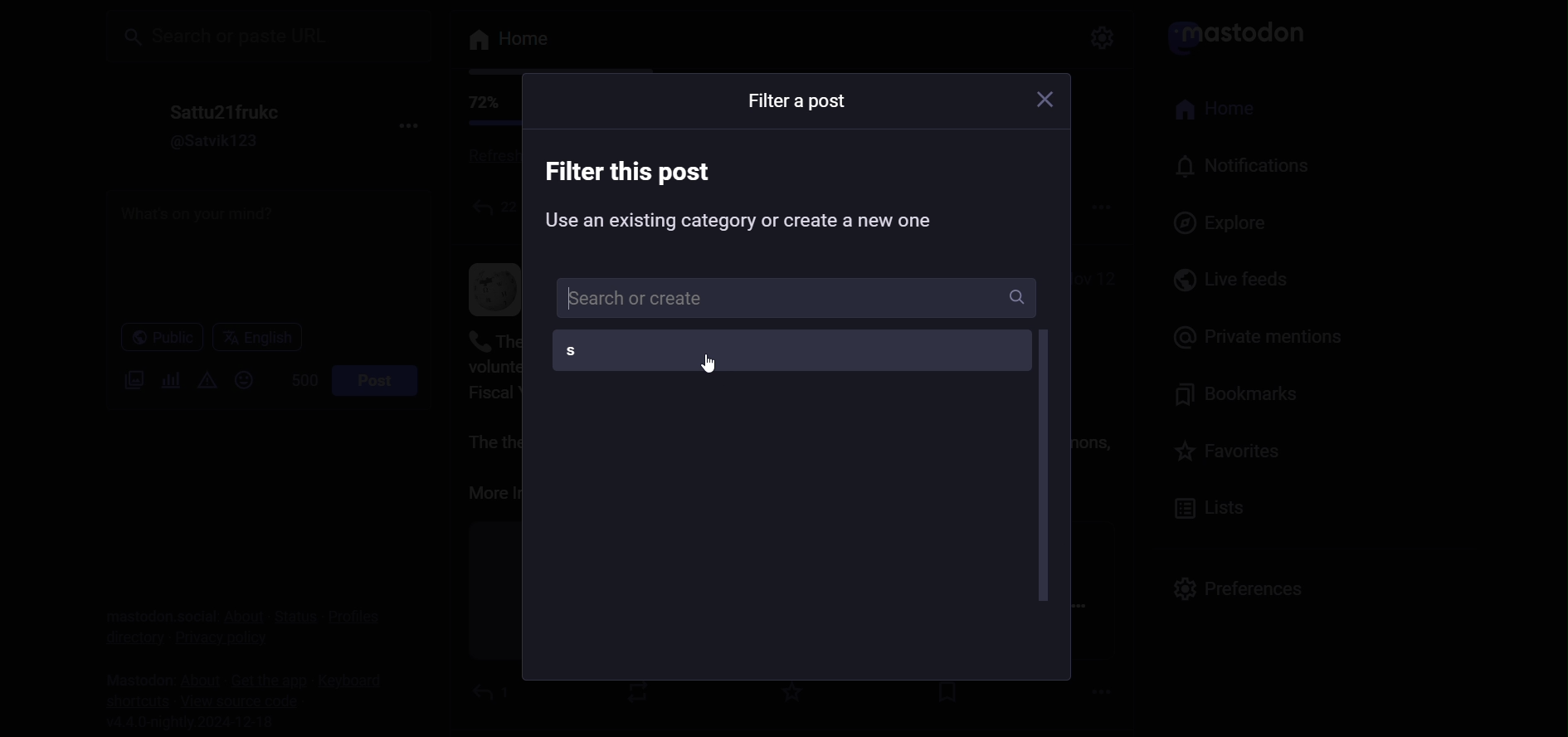 The image size is (1568, 737). Describe the element at coordinates (743, 223) in the screenshot. I see `Use an existing category or create a new one` at that location.